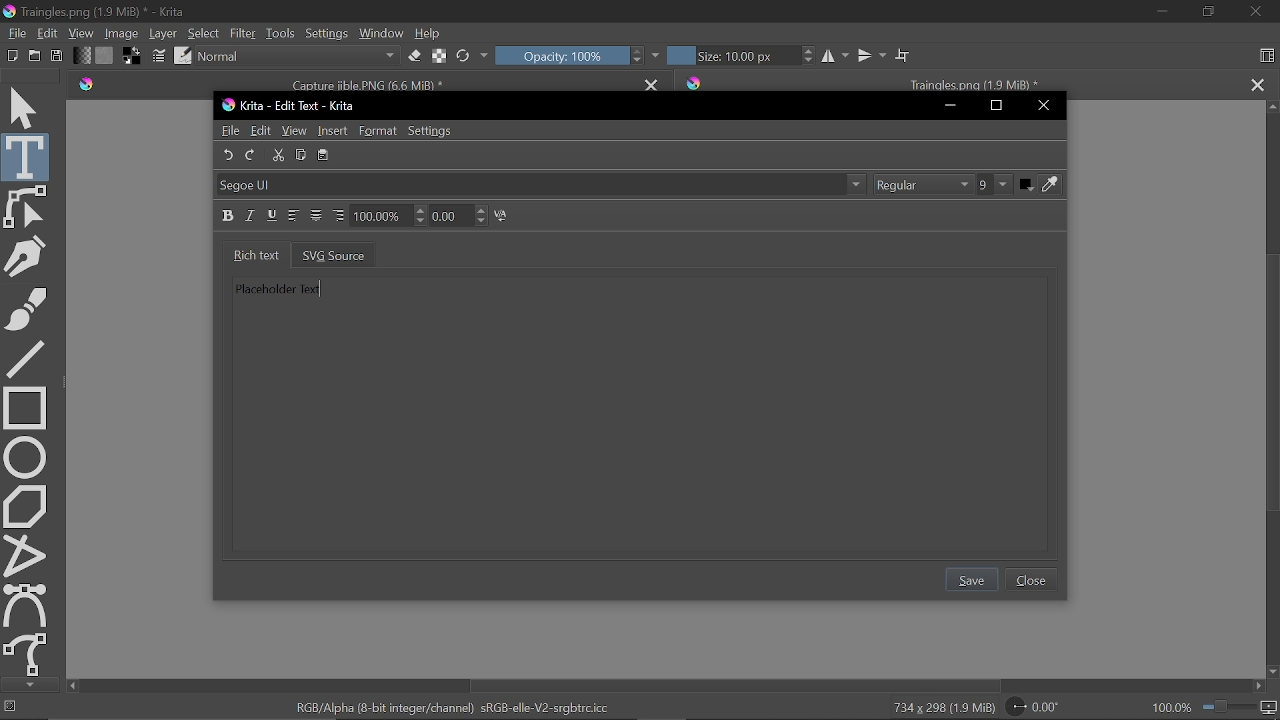 Image resolution: width=1280 pixels, height=720 pixels. I want to click on Traingles.png (1.9 MiB) * - Krita, so click(95, 12).